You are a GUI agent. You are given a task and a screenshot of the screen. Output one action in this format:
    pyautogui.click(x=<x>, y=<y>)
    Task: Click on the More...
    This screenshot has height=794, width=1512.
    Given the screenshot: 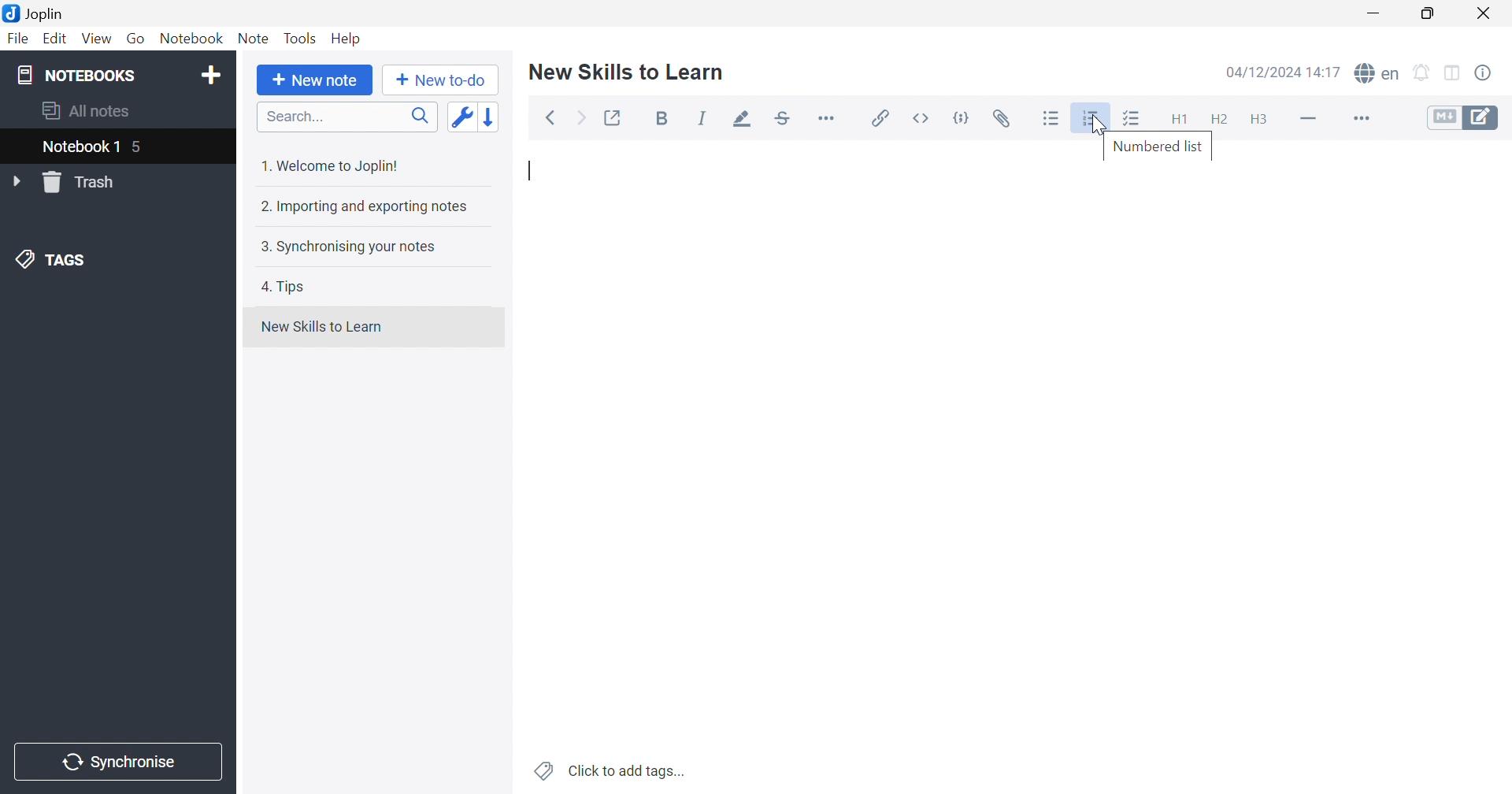 What is the action you would take?
    pyautogui.click(x=1359, y=120)
    